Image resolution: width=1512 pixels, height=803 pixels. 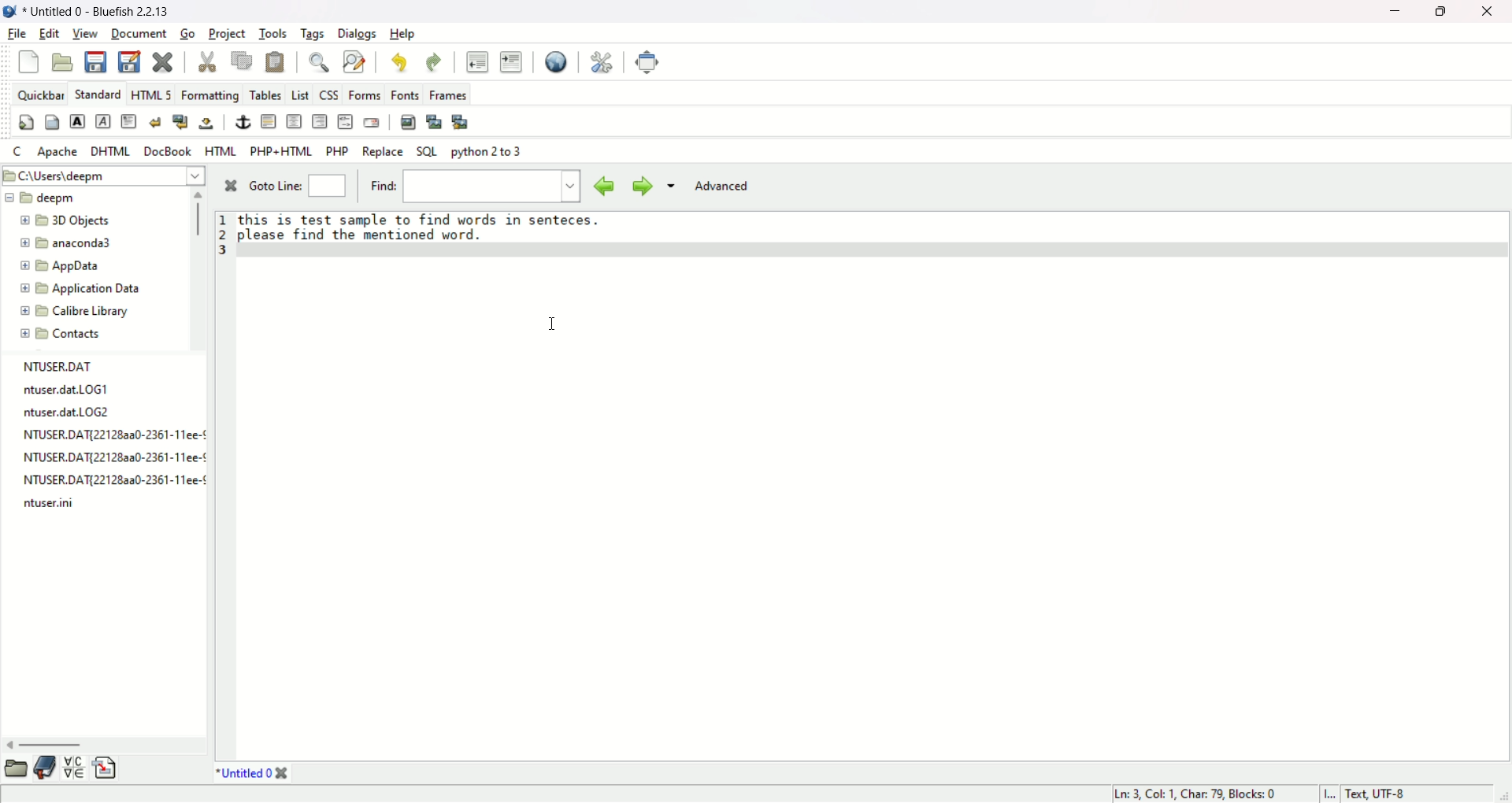 I want to click on cursor, so click(x=554, y=321).